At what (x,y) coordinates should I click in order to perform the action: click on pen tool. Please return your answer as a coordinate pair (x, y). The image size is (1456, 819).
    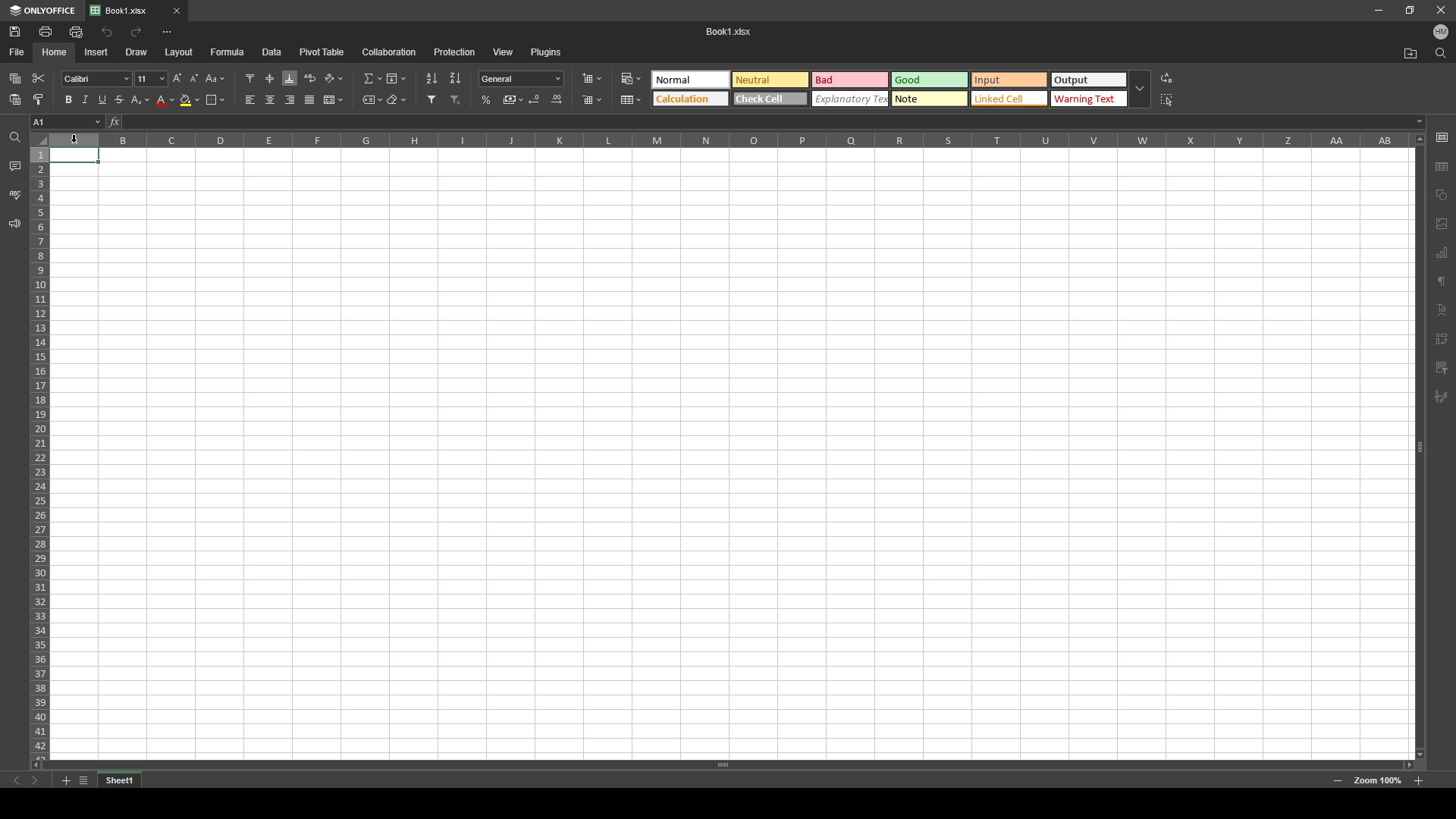
    Looking at the image, I should click on (1441, 397).